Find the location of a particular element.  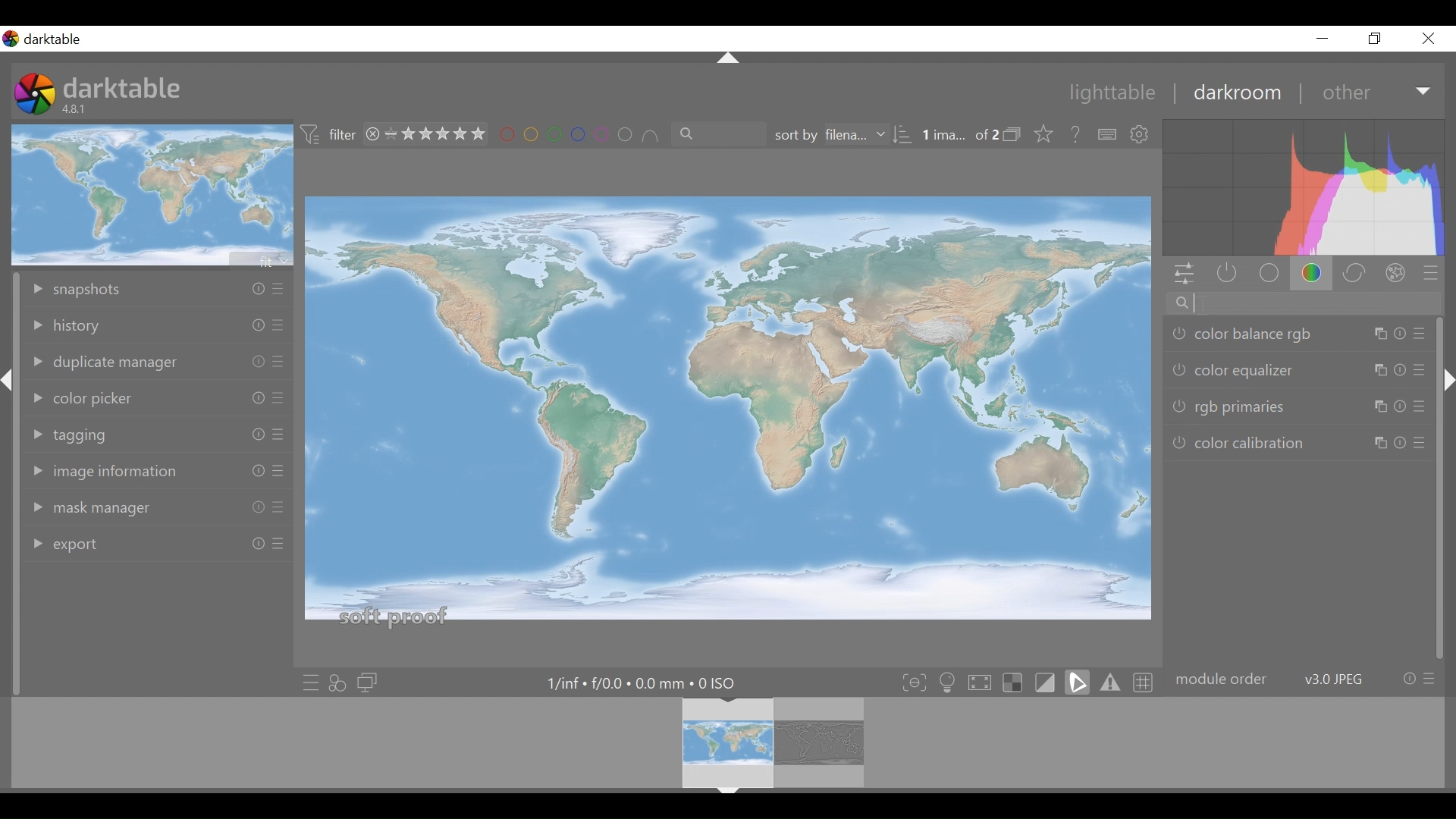

base is located at coordinates (1267, 275).